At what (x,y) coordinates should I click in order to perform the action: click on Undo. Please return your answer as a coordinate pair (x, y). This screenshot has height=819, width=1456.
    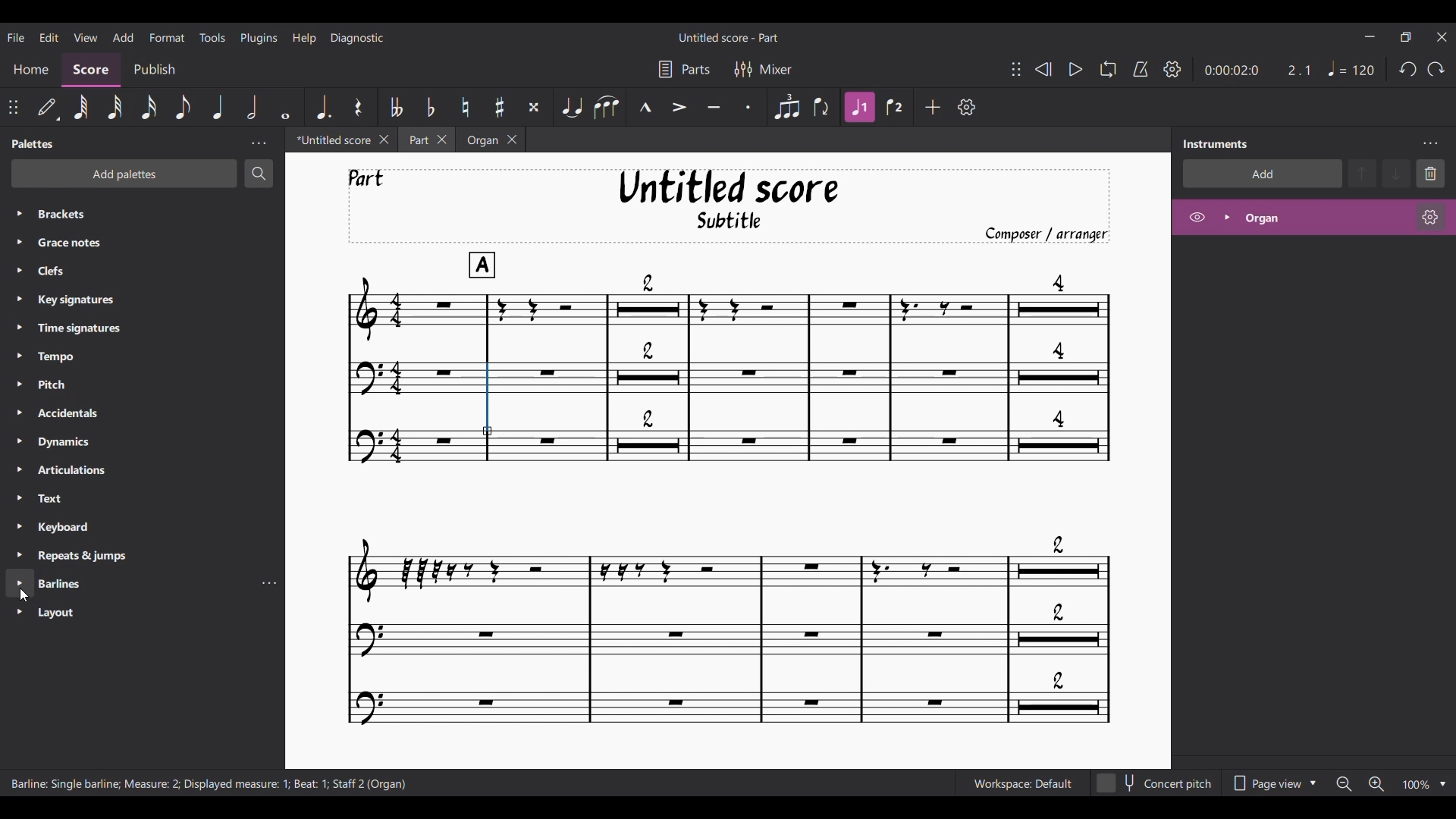
    Looking at the image, I should click on (1407, 69).